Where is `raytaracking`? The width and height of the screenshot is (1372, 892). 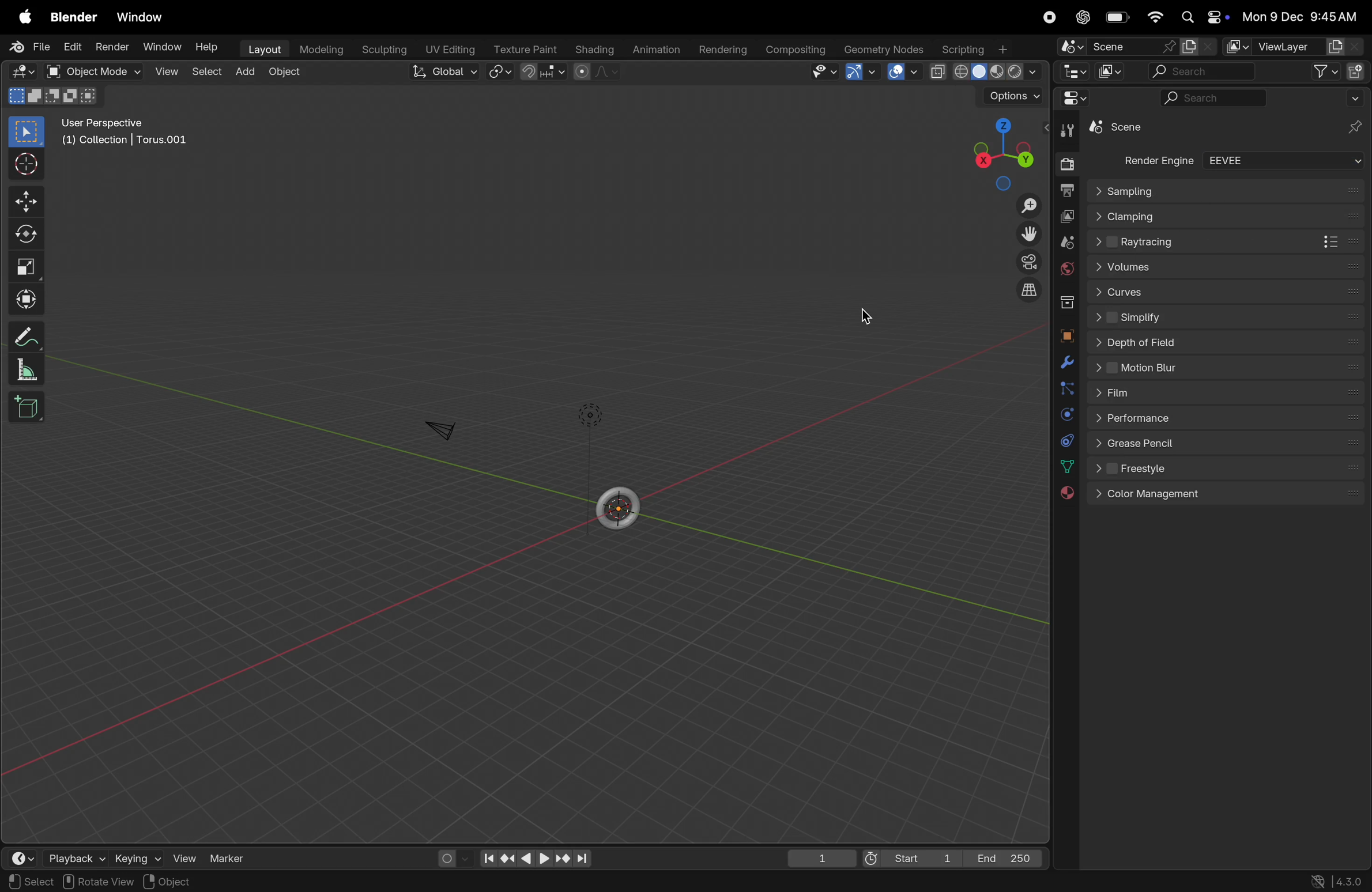 raytaracking is located at coordinates (1228, 241).